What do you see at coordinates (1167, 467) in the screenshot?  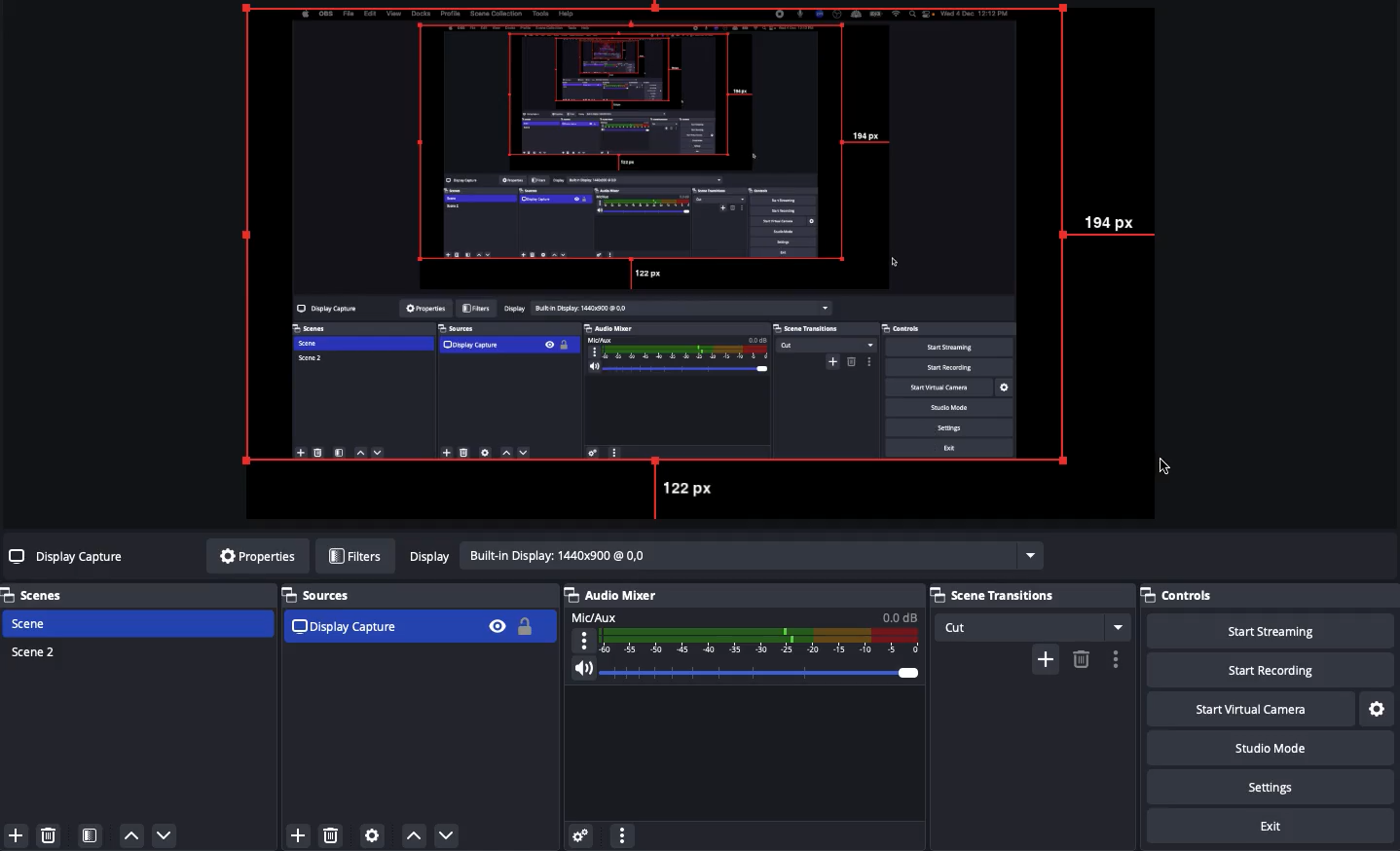 I see `Cursor` at bounding box center [1167, 467].